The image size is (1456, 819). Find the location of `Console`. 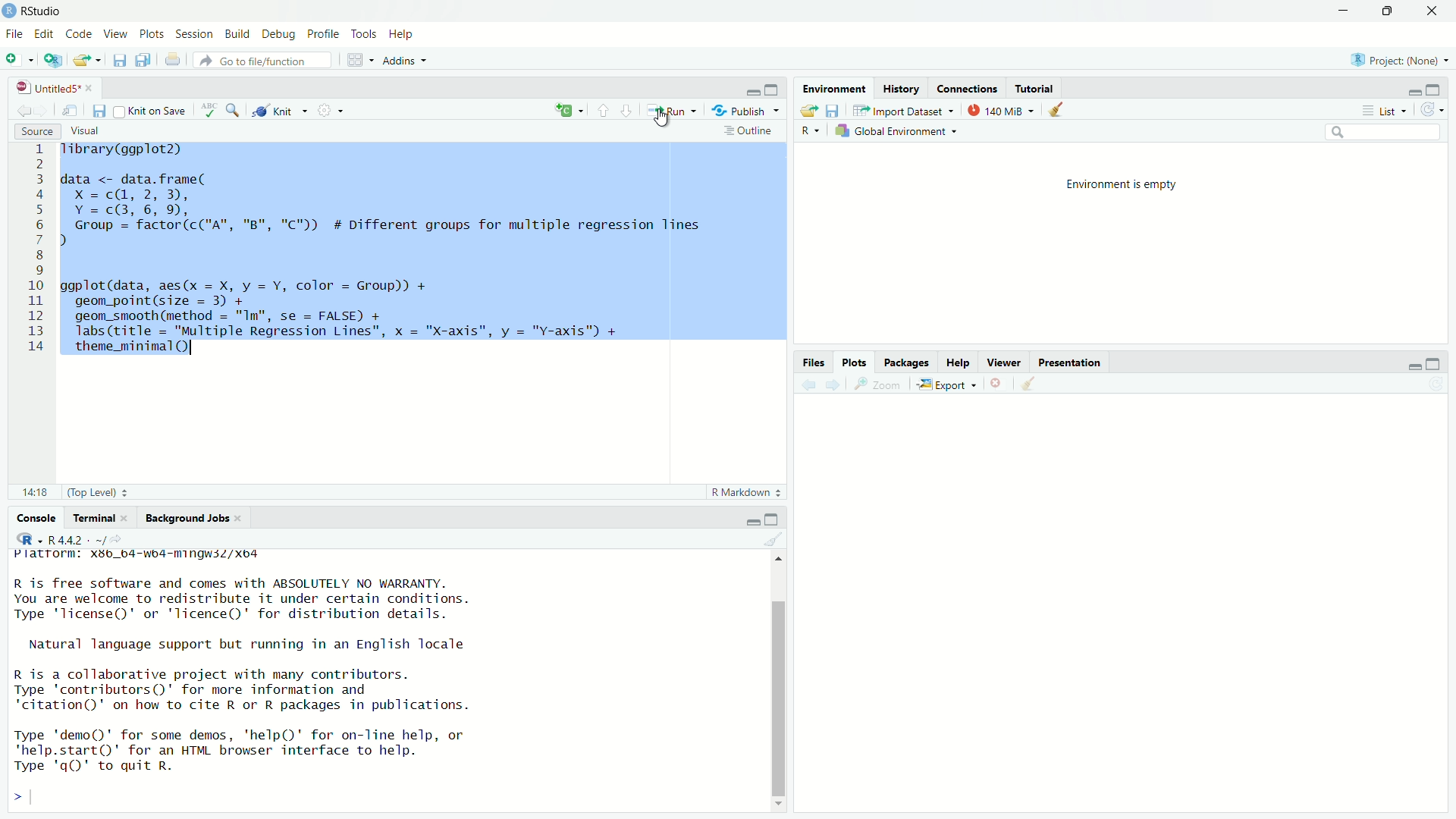

Console is located at coordinates (27, 518).